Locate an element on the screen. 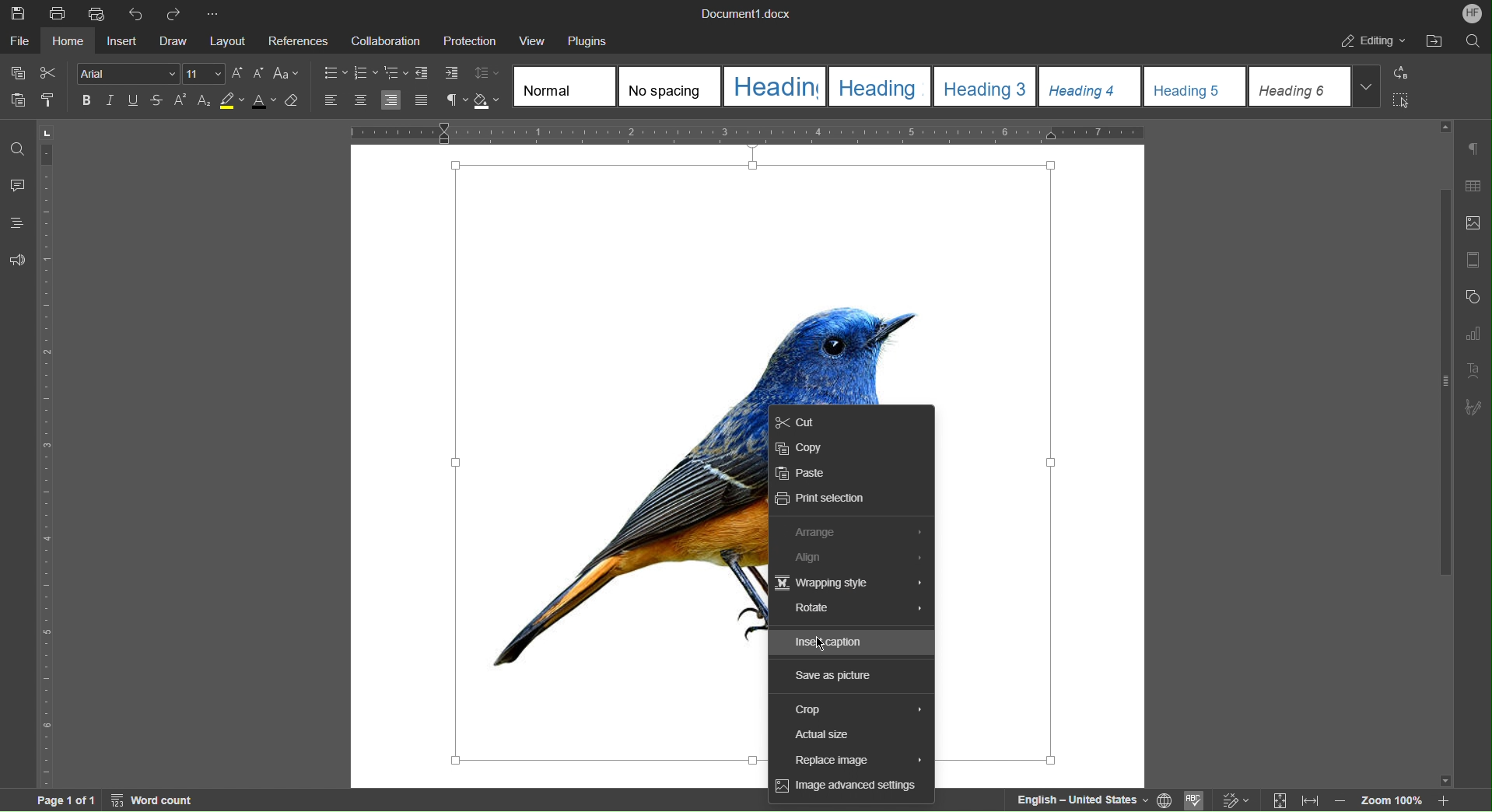 The height and width of the screenshot is (812, 1492). Copy Style is located at coordinates (49, 100).